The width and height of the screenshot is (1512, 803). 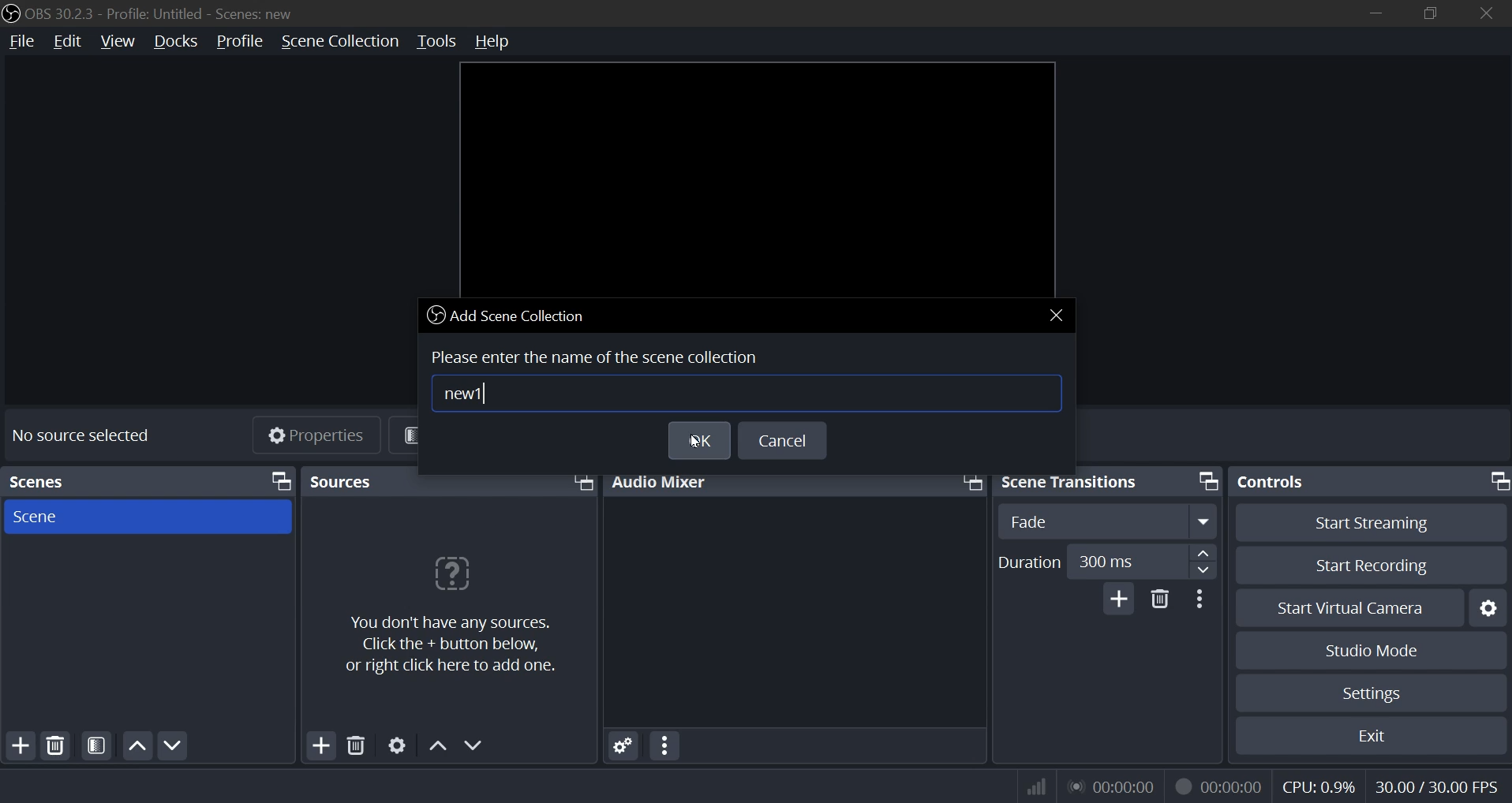 I want to click on audio mixer, so click(x=664, y=480).